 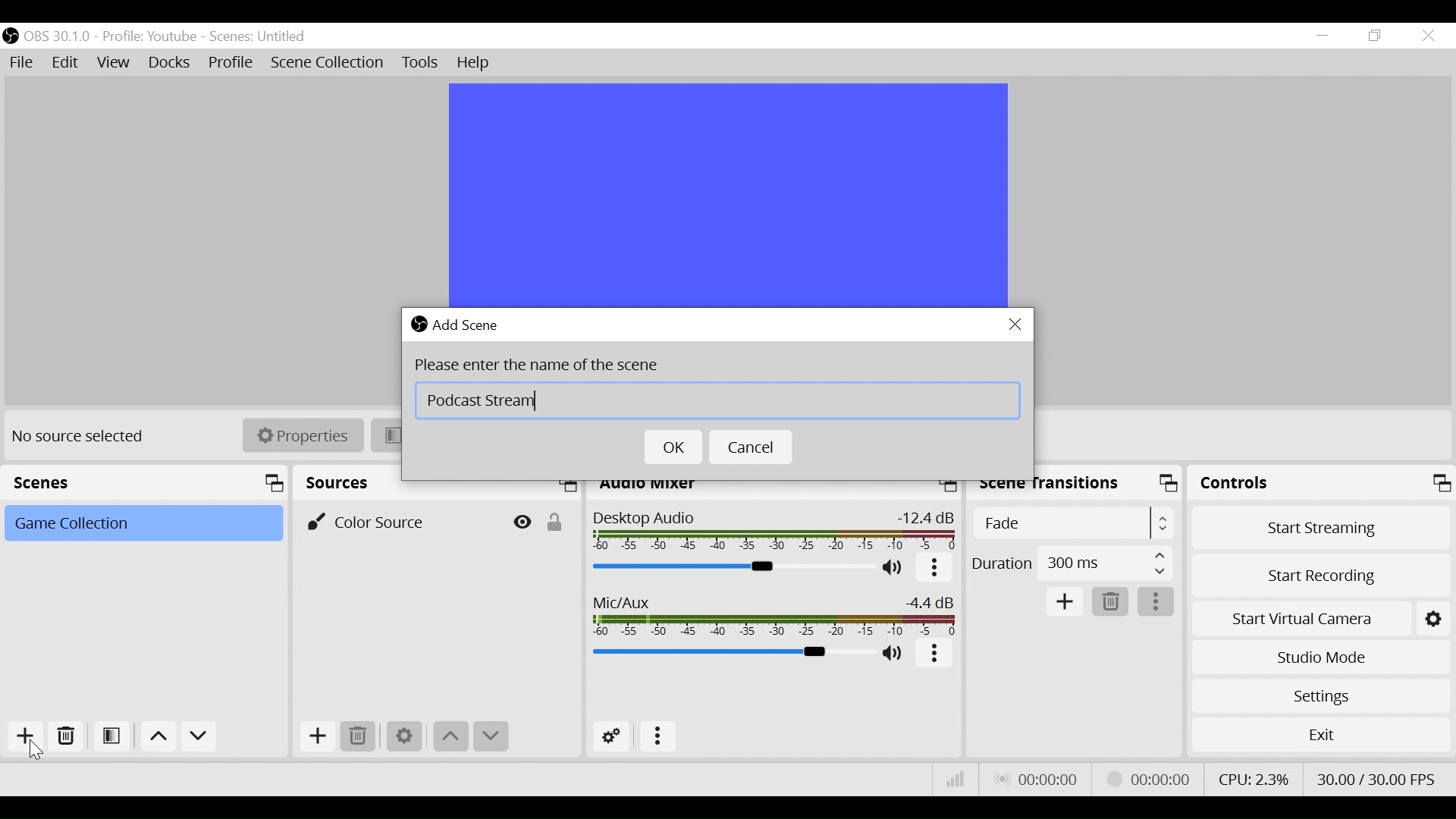 What do you see at coordinates (115, 65) in the screenshot?
I see `View` at bounding box center [115, 65].